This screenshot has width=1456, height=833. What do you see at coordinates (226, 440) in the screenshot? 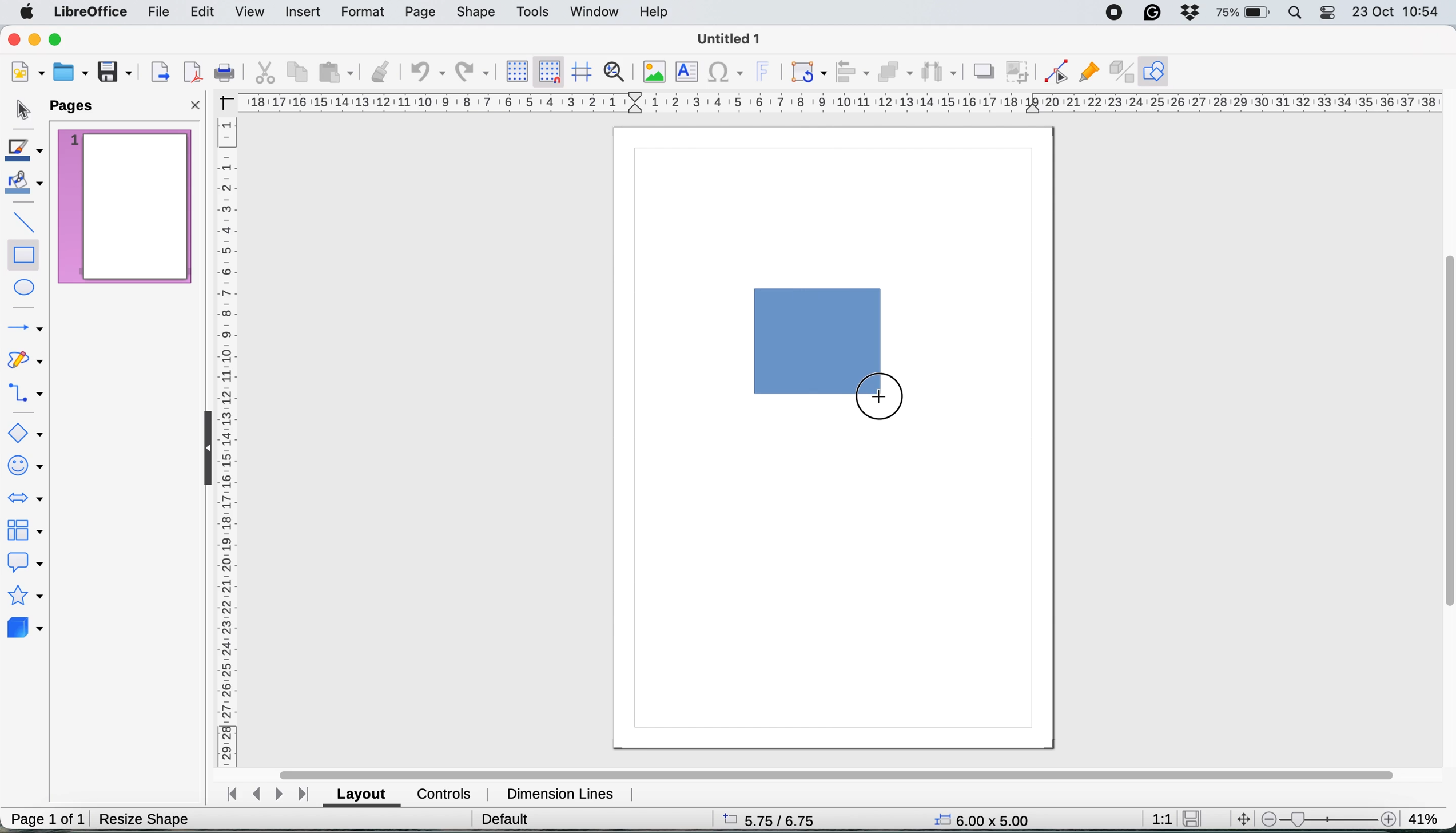
I see `vertical scale` at bounding box center [226, 440].